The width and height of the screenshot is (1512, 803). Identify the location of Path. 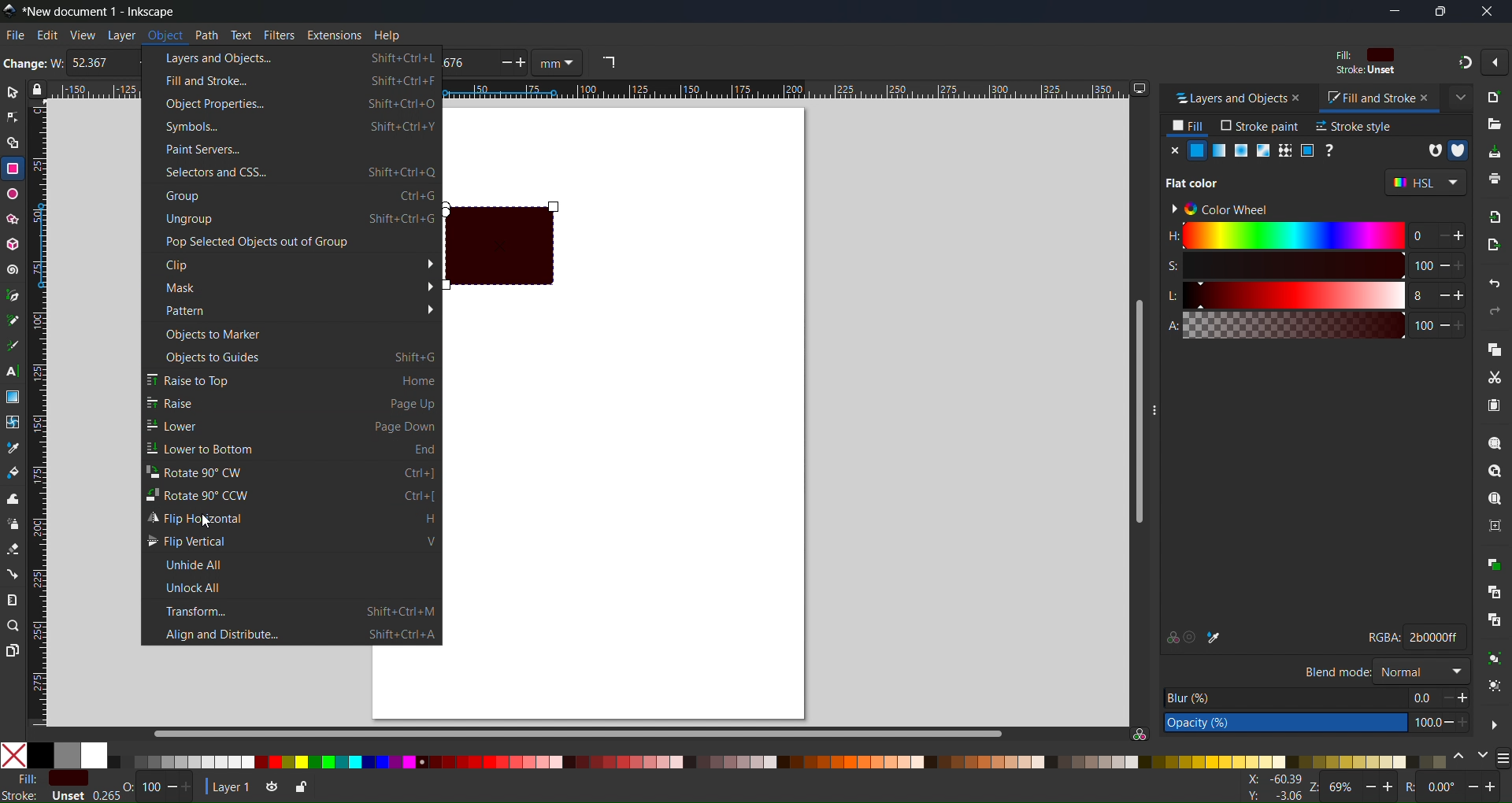
(206, 35).